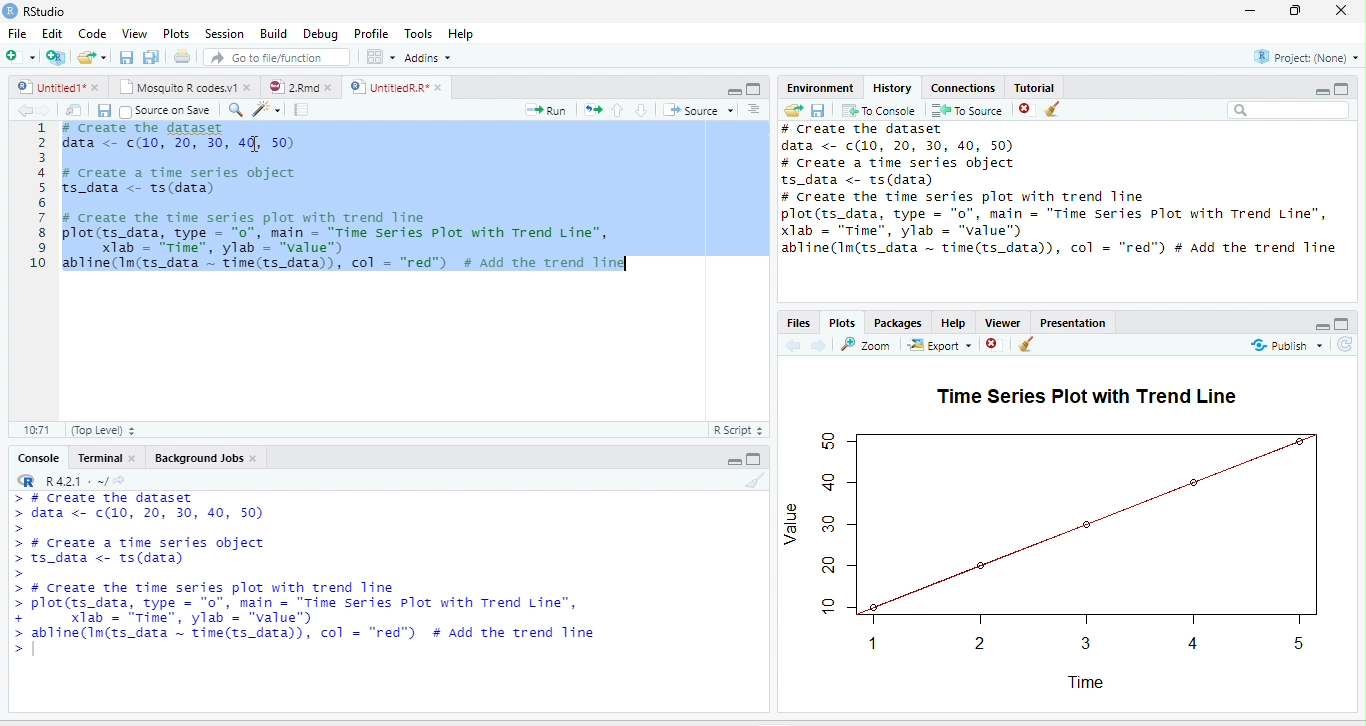 The width and height of the screenshot is (1366, 726). Describe the element at coordinates (254, 144) in the screenshot. I see `cursor` at that location.